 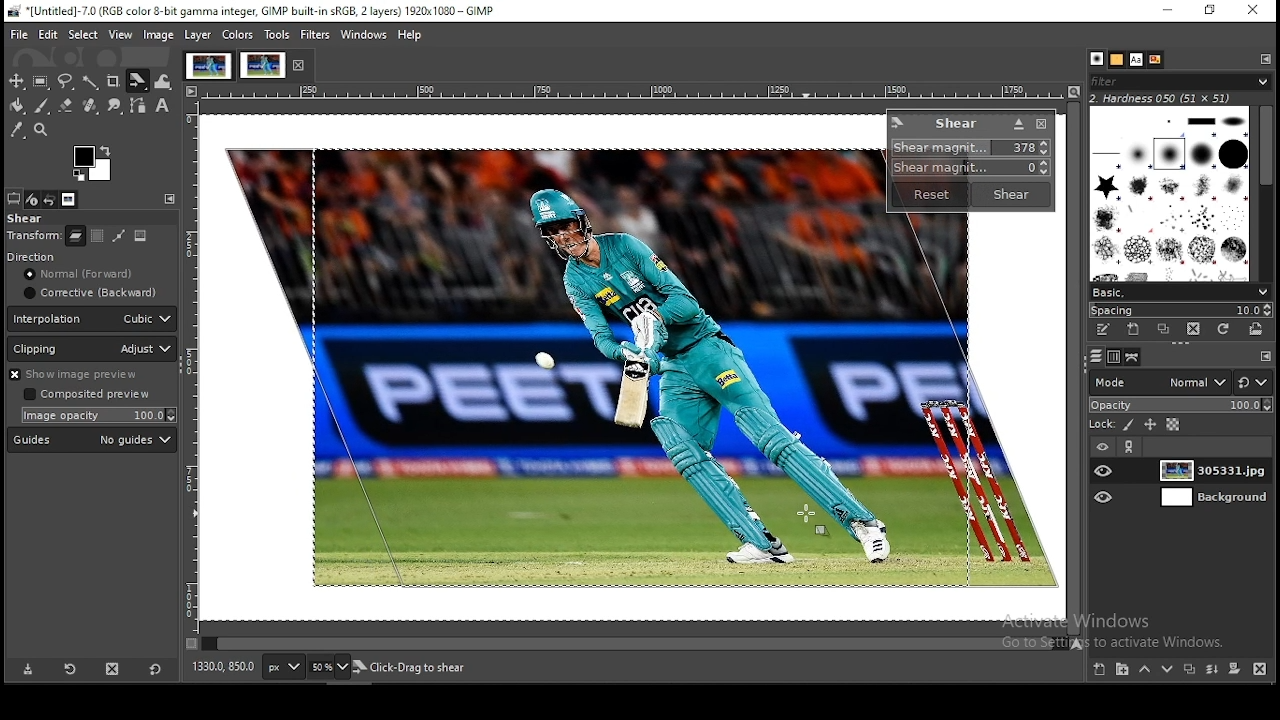 What do you see at coordinates (96, 236) in the screenshot?
I see `selection` at bounding box center [96, 236].